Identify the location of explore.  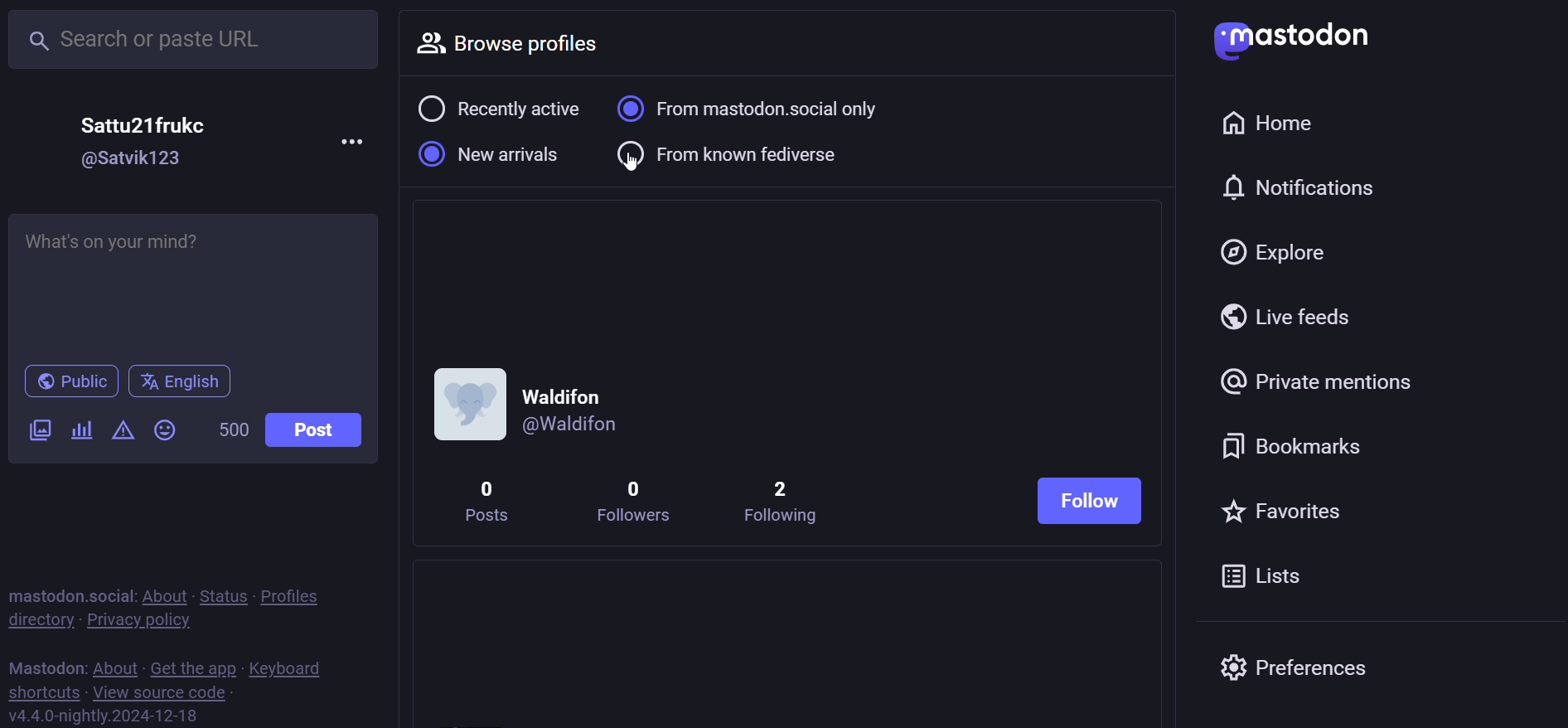
(1285, 250).